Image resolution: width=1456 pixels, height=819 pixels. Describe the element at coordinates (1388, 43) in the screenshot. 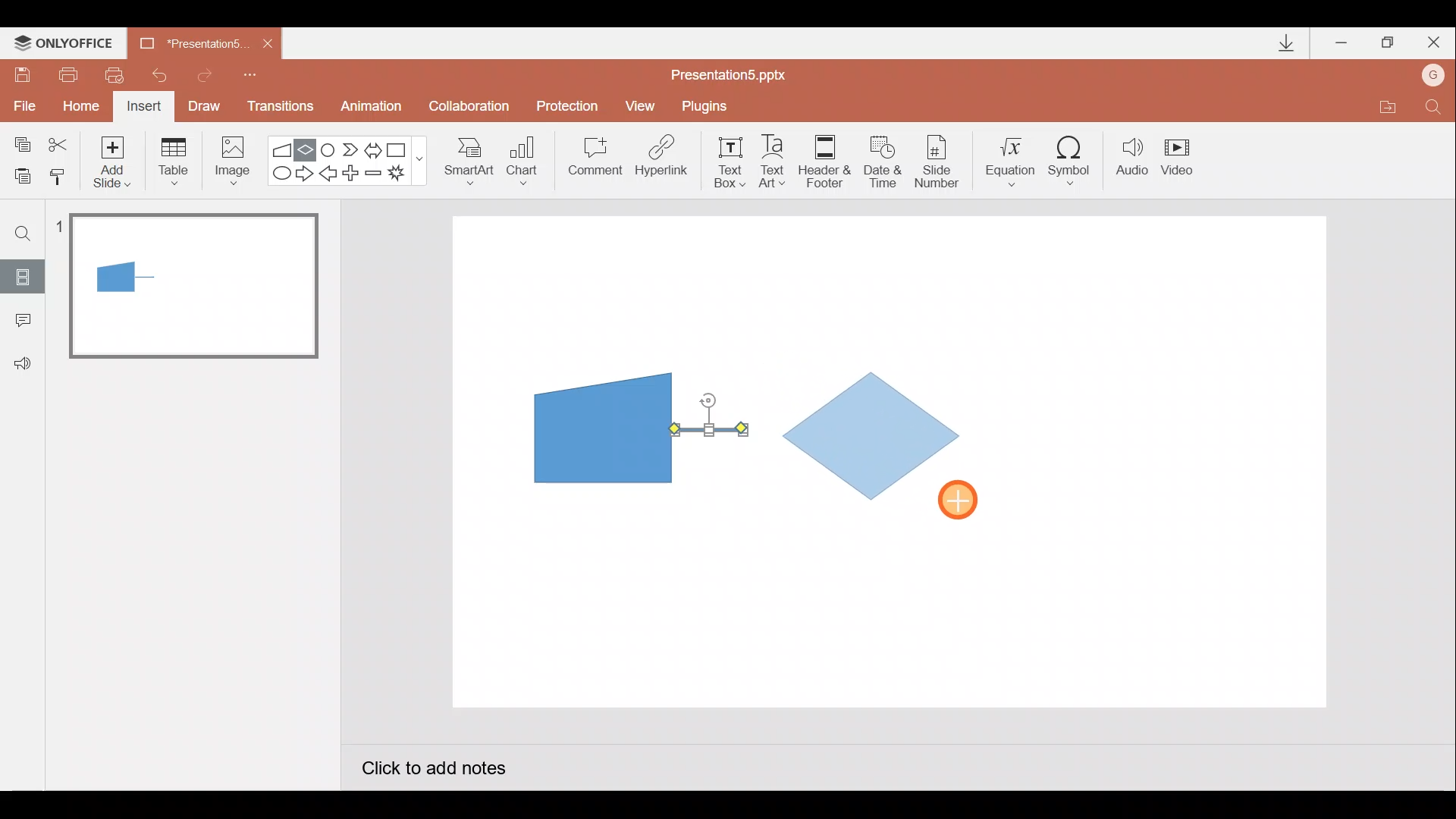

I see `Maximize` at that location.